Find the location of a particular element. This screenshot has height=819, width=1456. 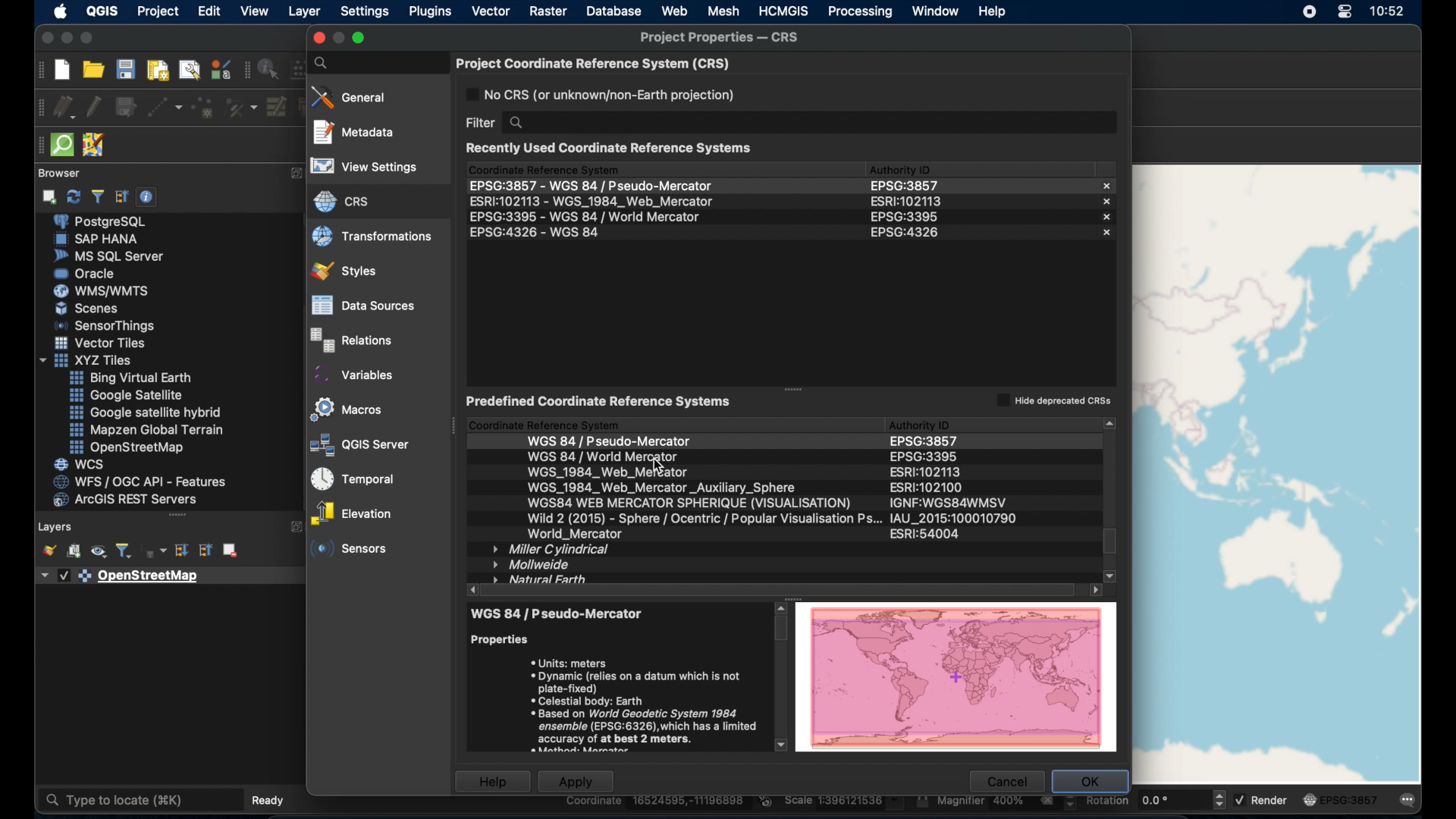

add group is located at coordinates (74, 551).